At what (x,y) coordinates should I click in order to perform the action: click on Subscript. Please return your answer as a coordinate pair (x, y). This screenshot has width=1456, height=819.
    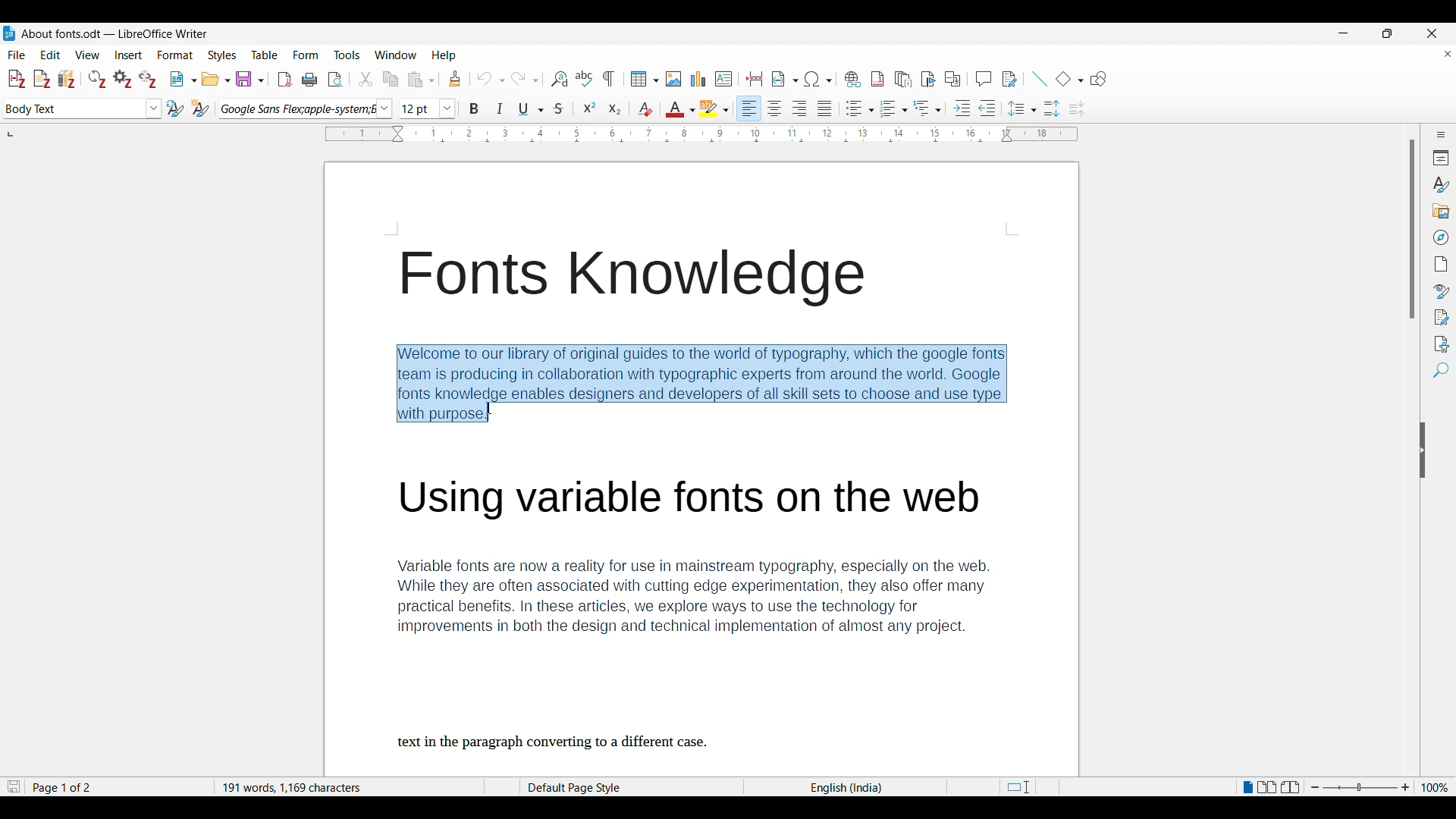
    Looking at the image, I should click on (615, 108).